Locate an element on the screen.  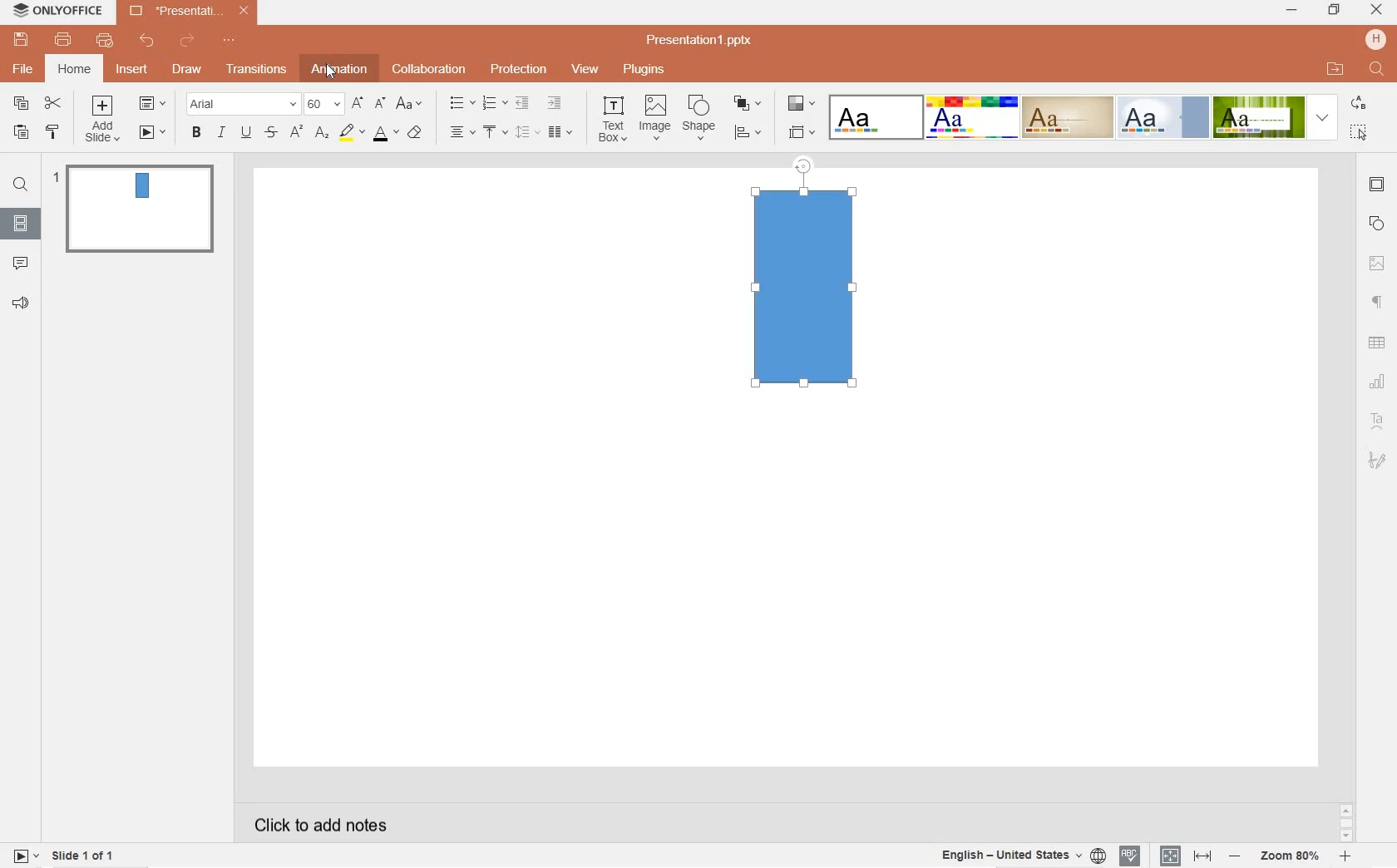
align shape is located at coordinates (748, 132).